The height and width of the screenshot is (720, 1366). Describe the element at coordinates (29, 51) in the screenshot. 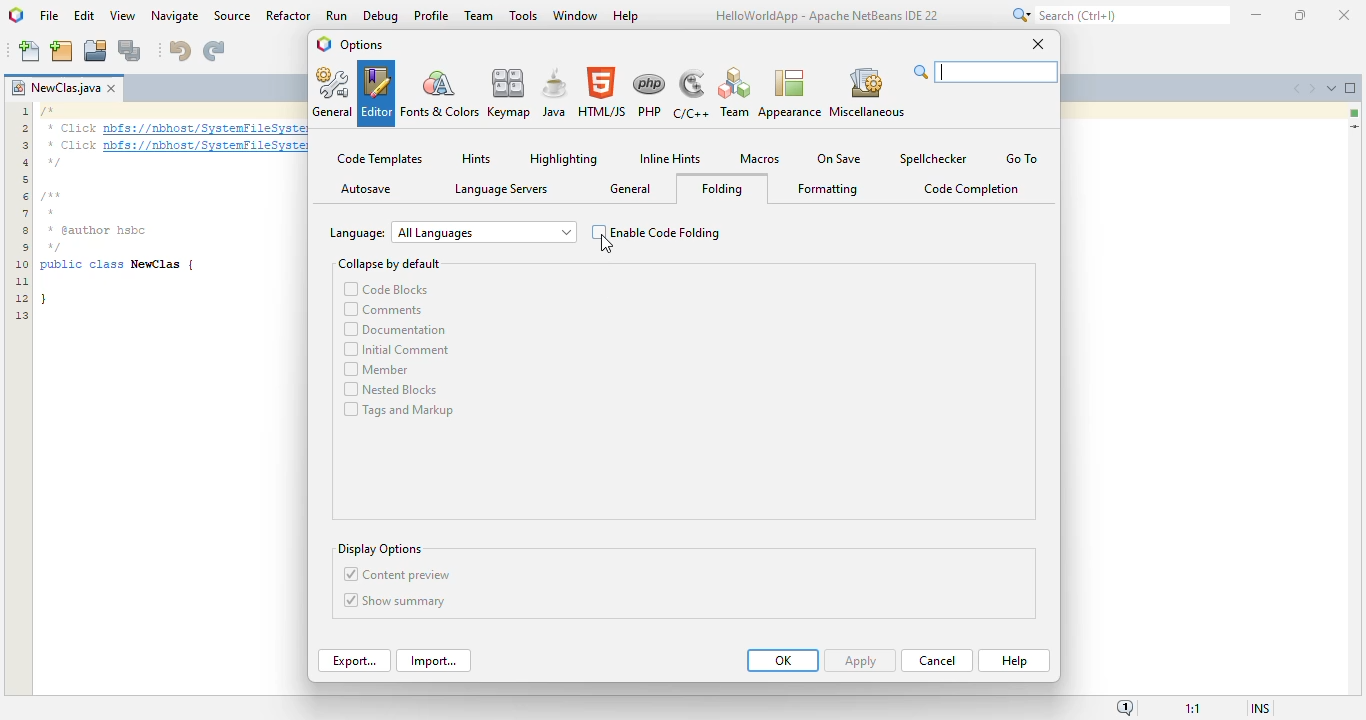

I see `new file` at that location.